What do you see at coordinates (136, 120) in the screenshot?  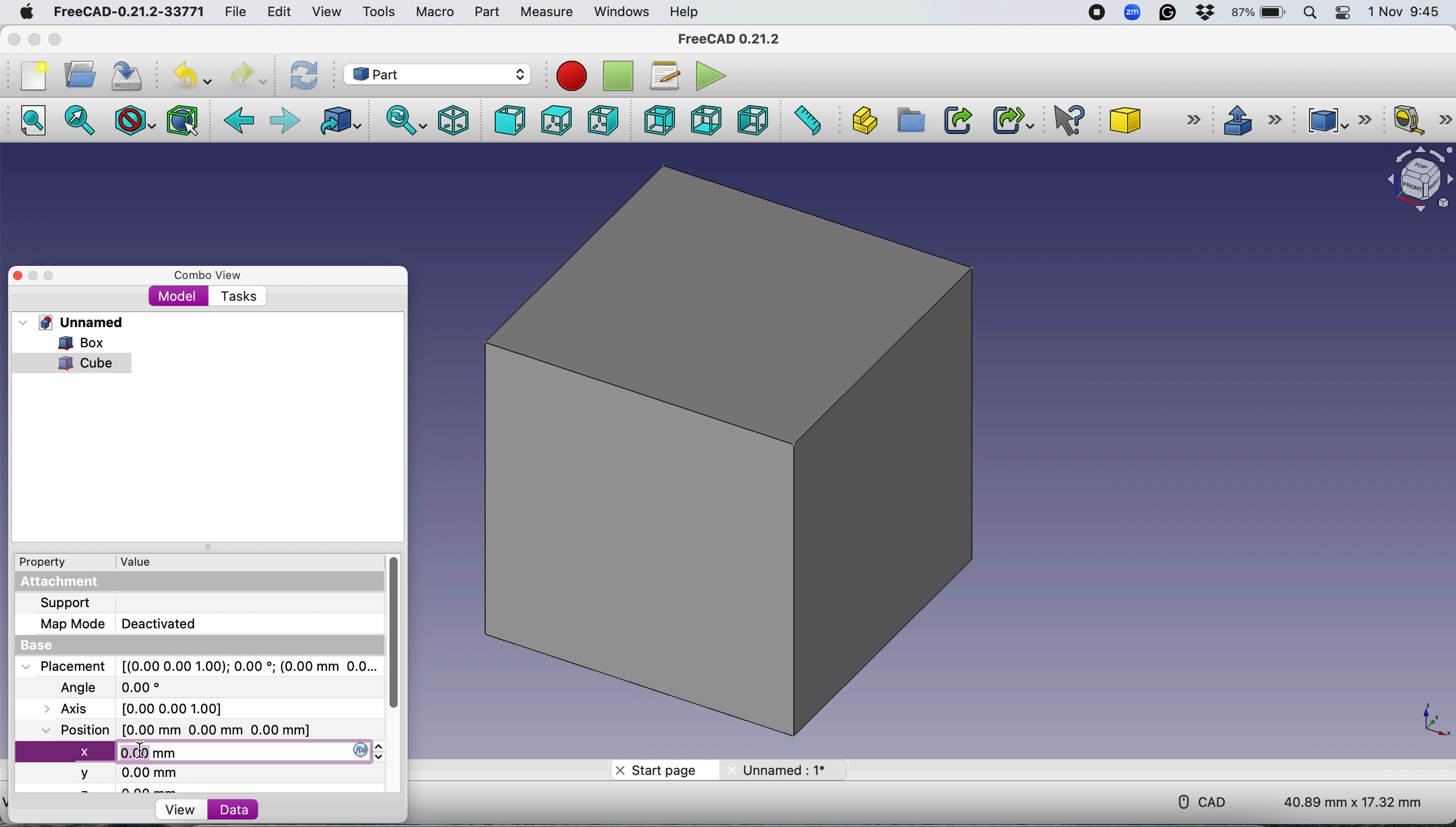 I see `Draw style` at bounding box center [136, 120].